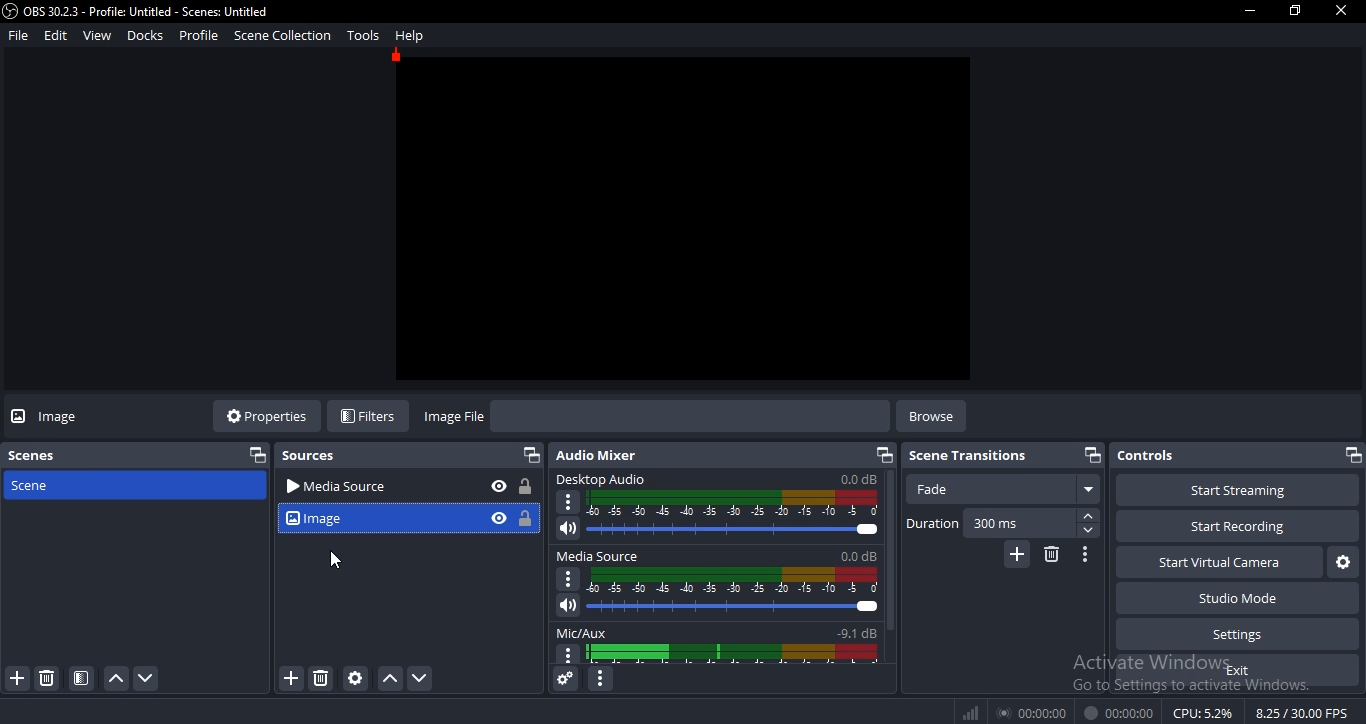  What do you see at coordinates (371, 414) in the screenshot?
I see `filters` at bounding box center [371, 414].